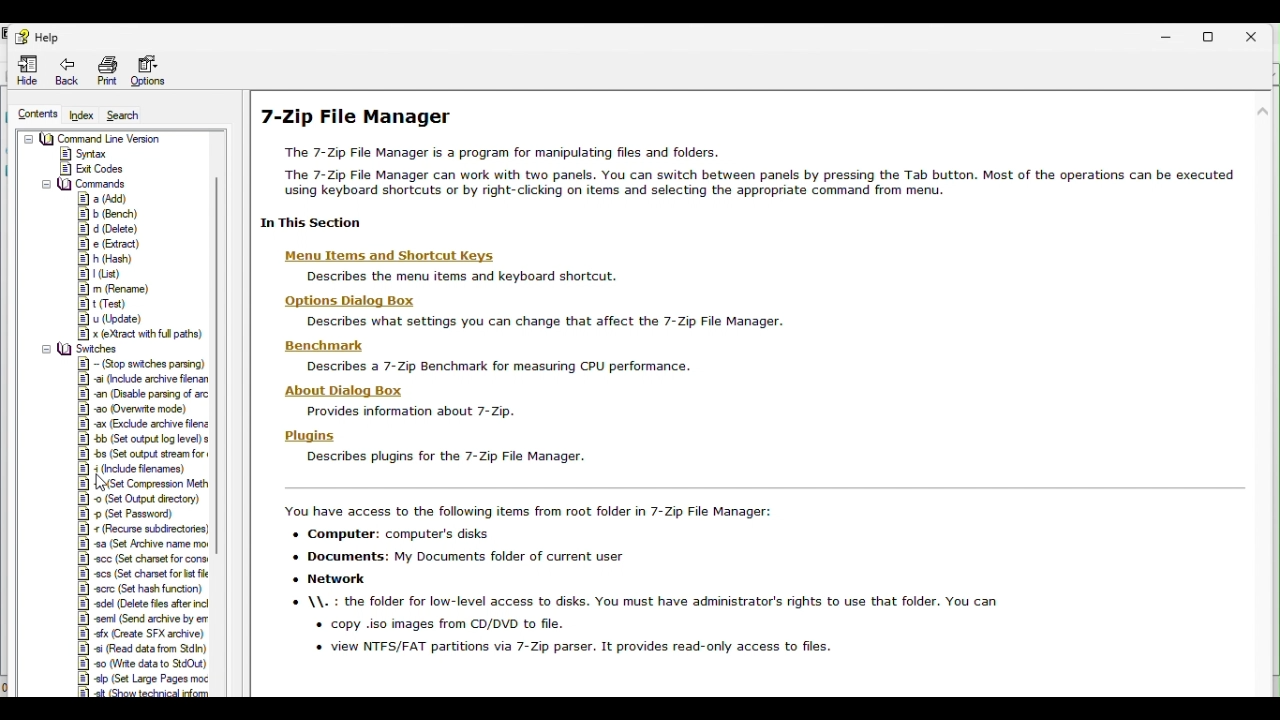  Describe the element at coordinates (140, 529) in the screenshot. I see `Recourse sub directories` at that location.